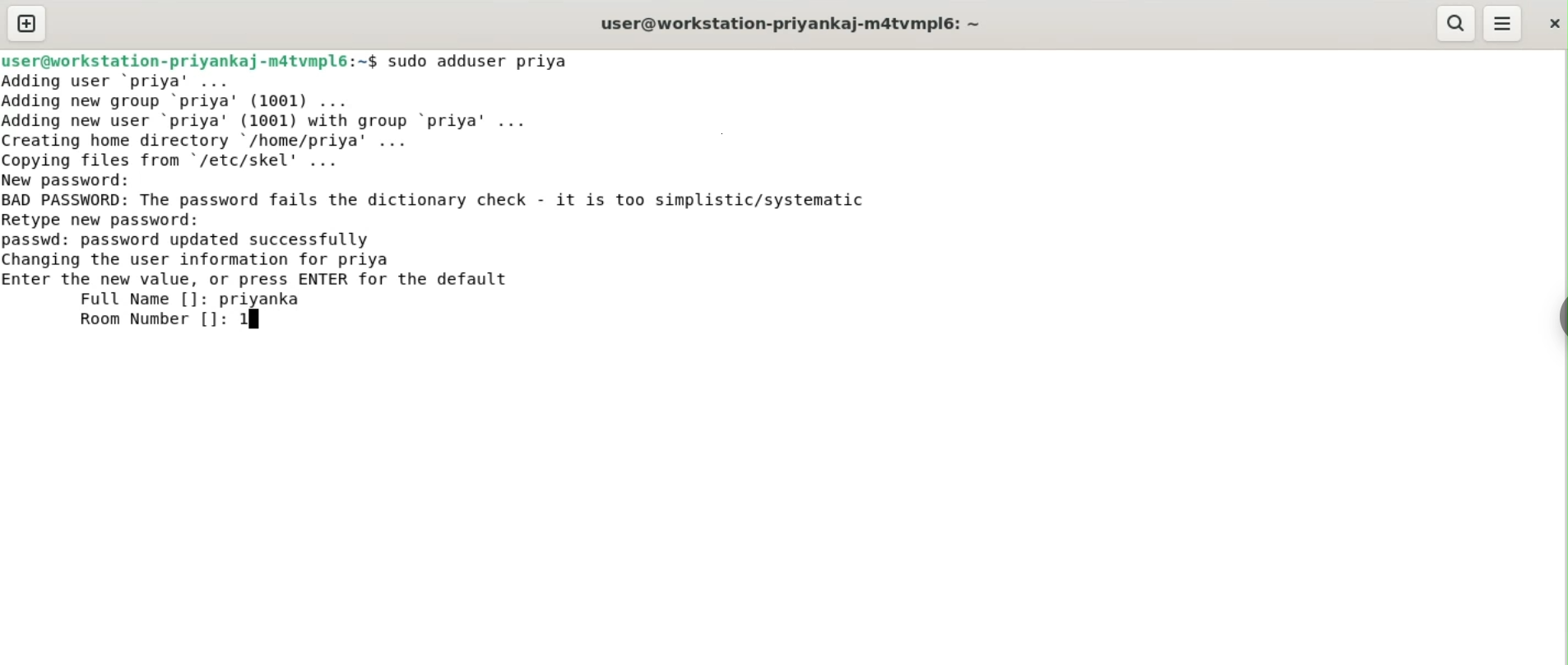 The image size is (1568, 665). What do you see at coordinates (1454, 23) in the screenshot?
I see `search` at bounding box center [1454, 23].